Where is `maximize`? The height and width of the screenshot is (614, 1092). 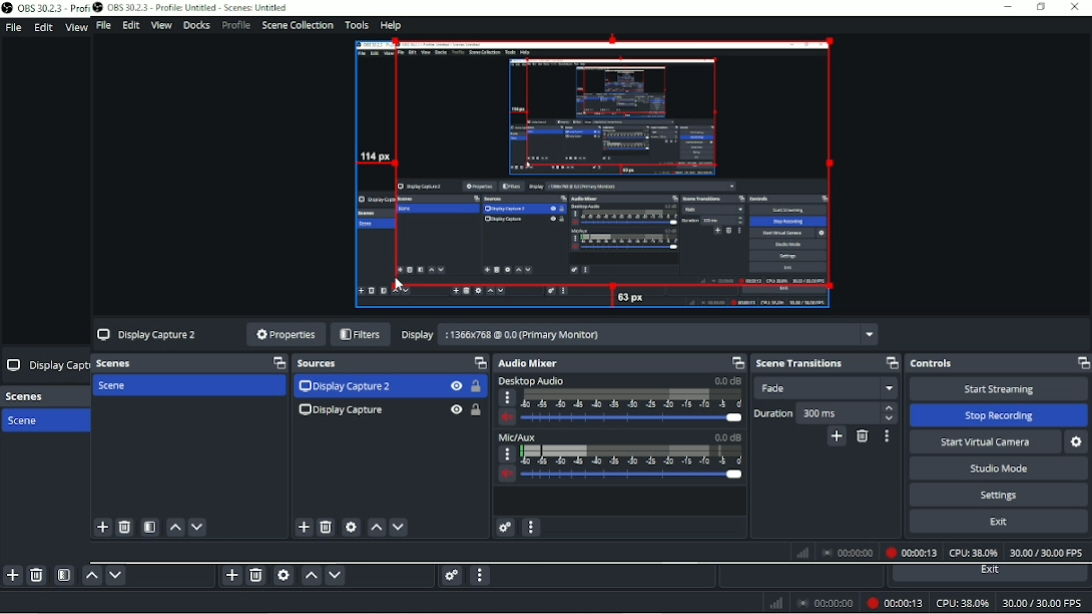
maximize is located at coordinates (1047, 7).